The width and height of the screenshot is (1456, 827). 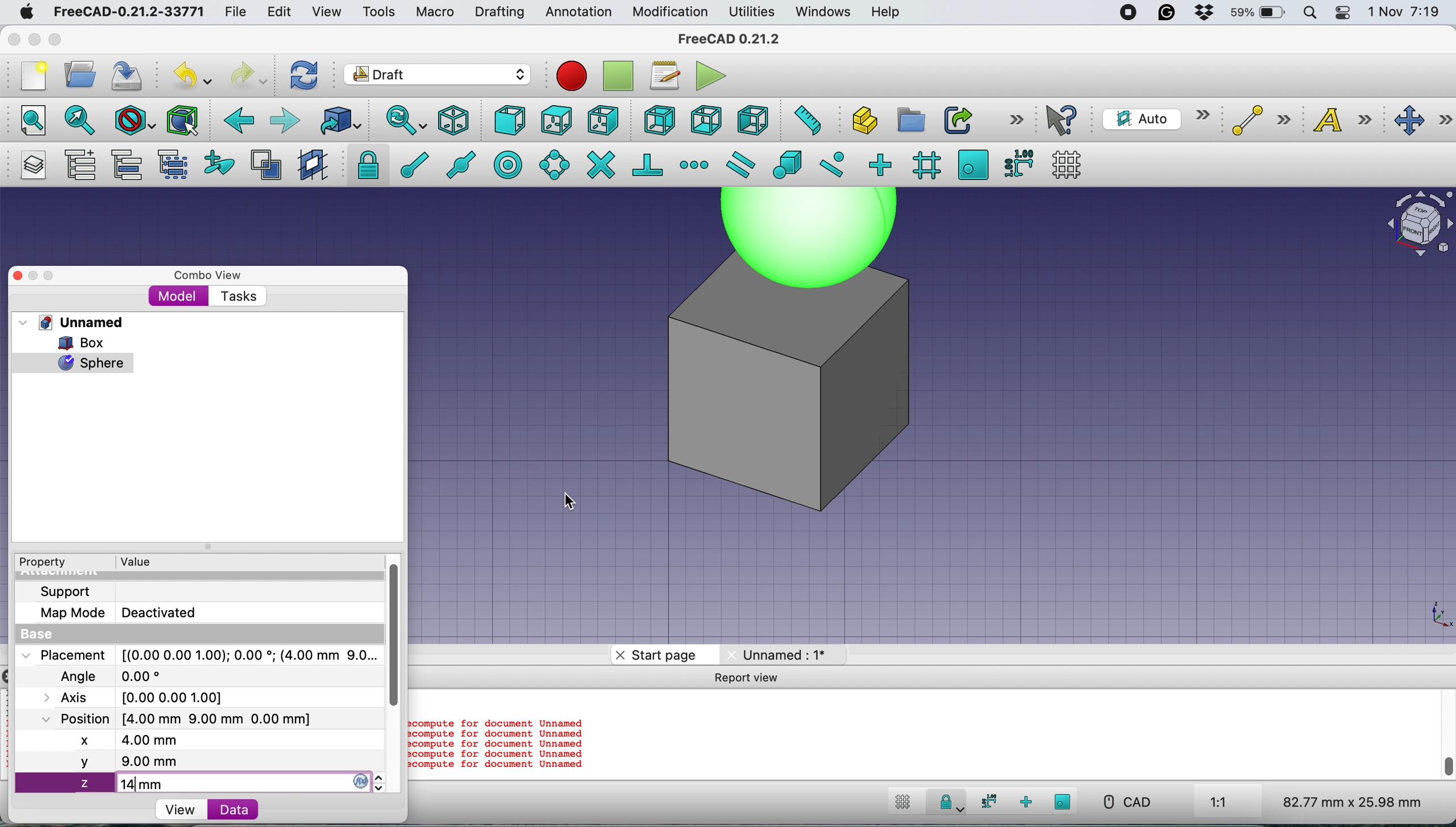 What do you see at coordinates (311, 166) in the screenshot?
I see `change working plane proxy` at bounding box center [311, 166].